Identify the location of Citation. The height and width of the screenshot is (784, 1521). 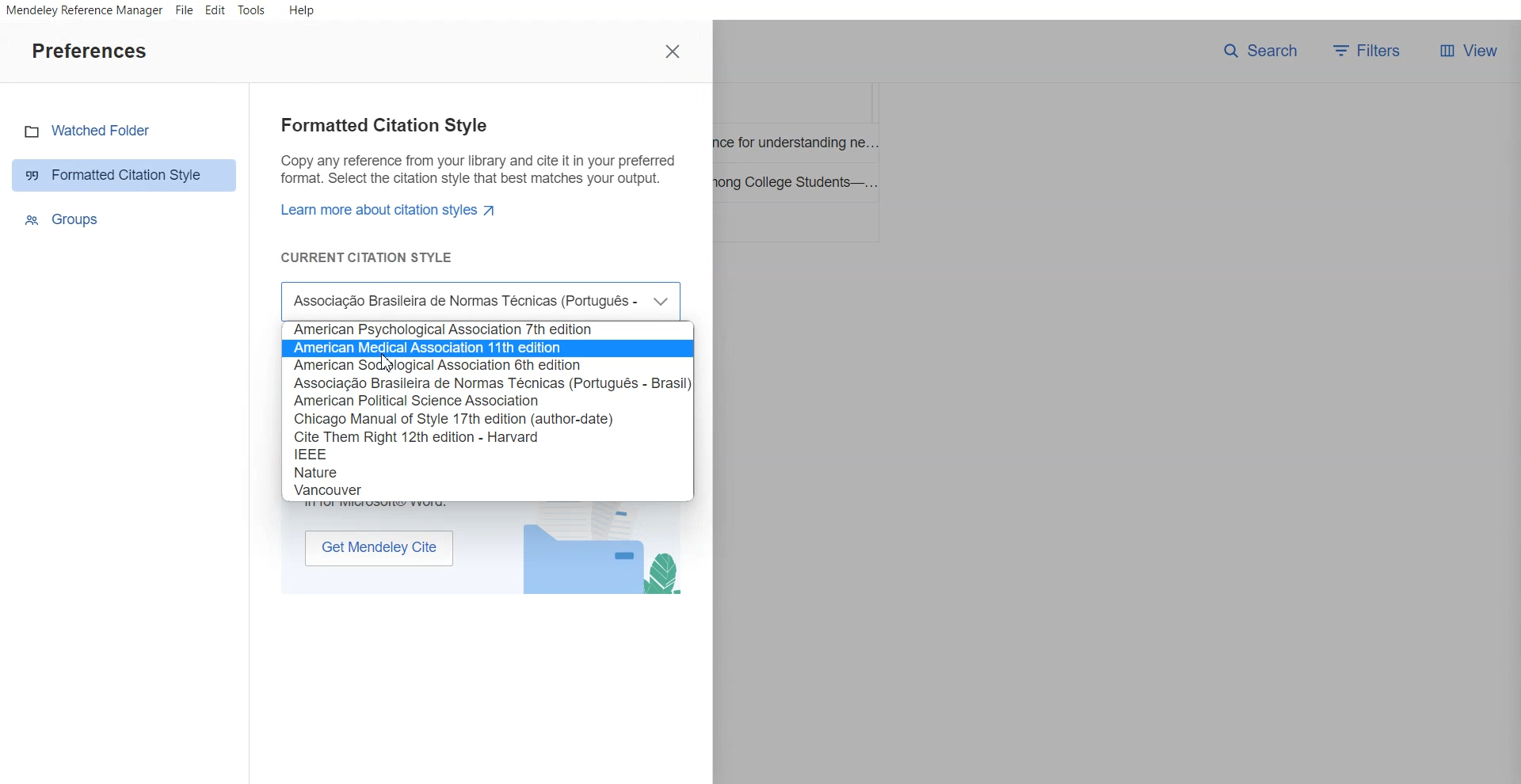
(320, 454).